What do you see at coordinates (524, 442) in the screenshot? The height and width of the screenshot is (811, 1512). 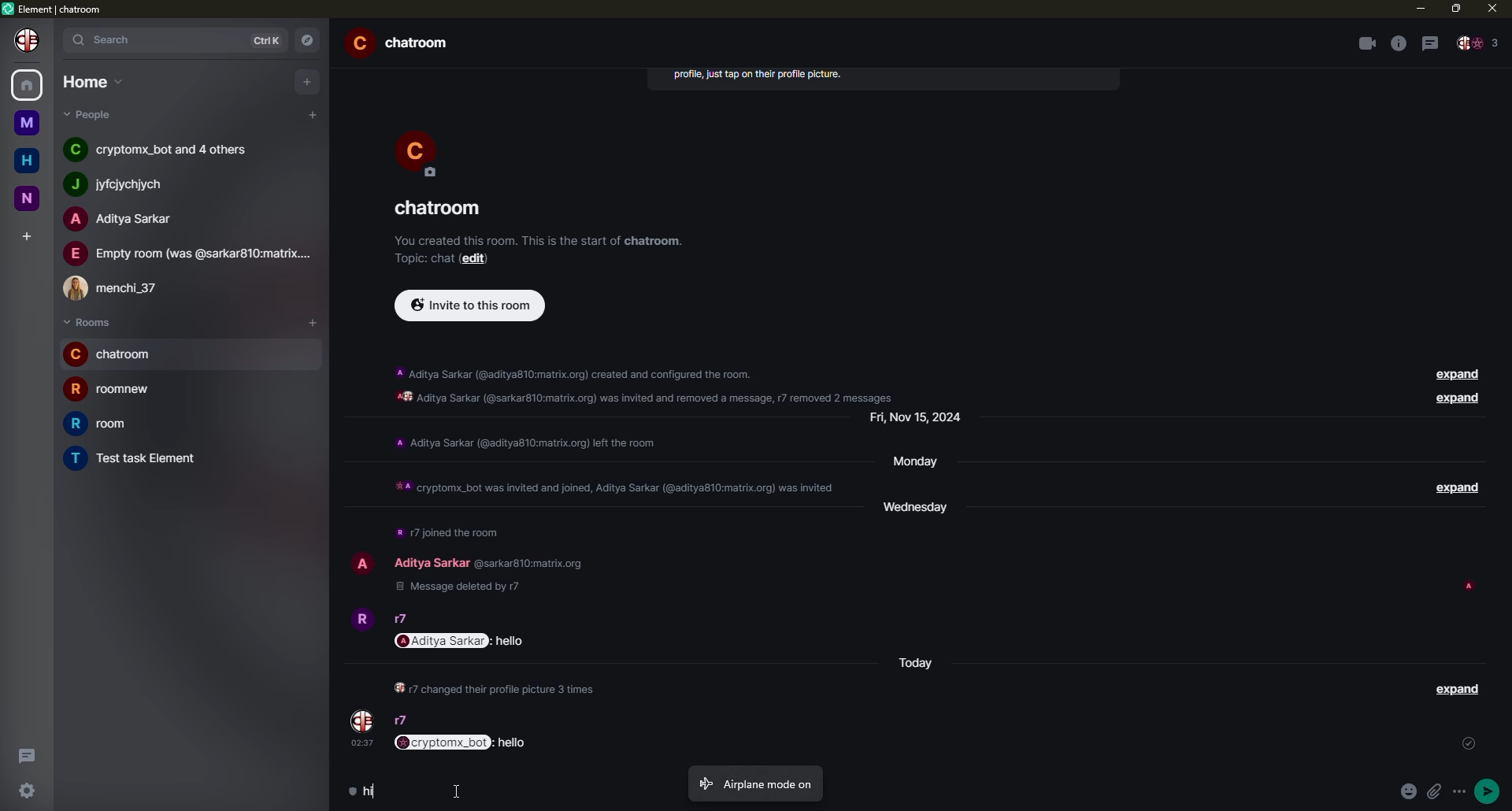 I see `info` at bounding box center [524, 442].